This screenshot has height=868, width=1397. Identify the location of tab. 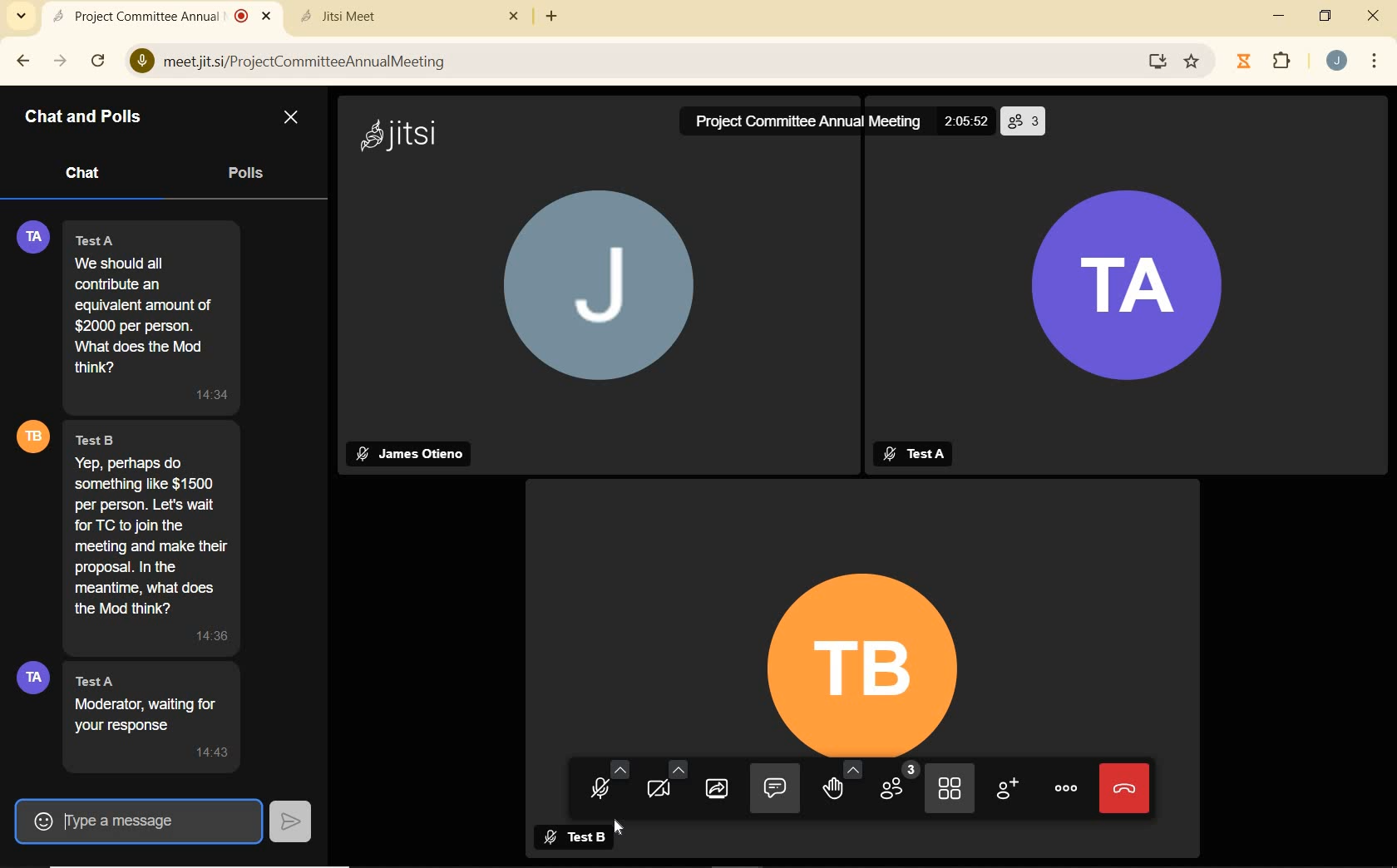
(393, 16).